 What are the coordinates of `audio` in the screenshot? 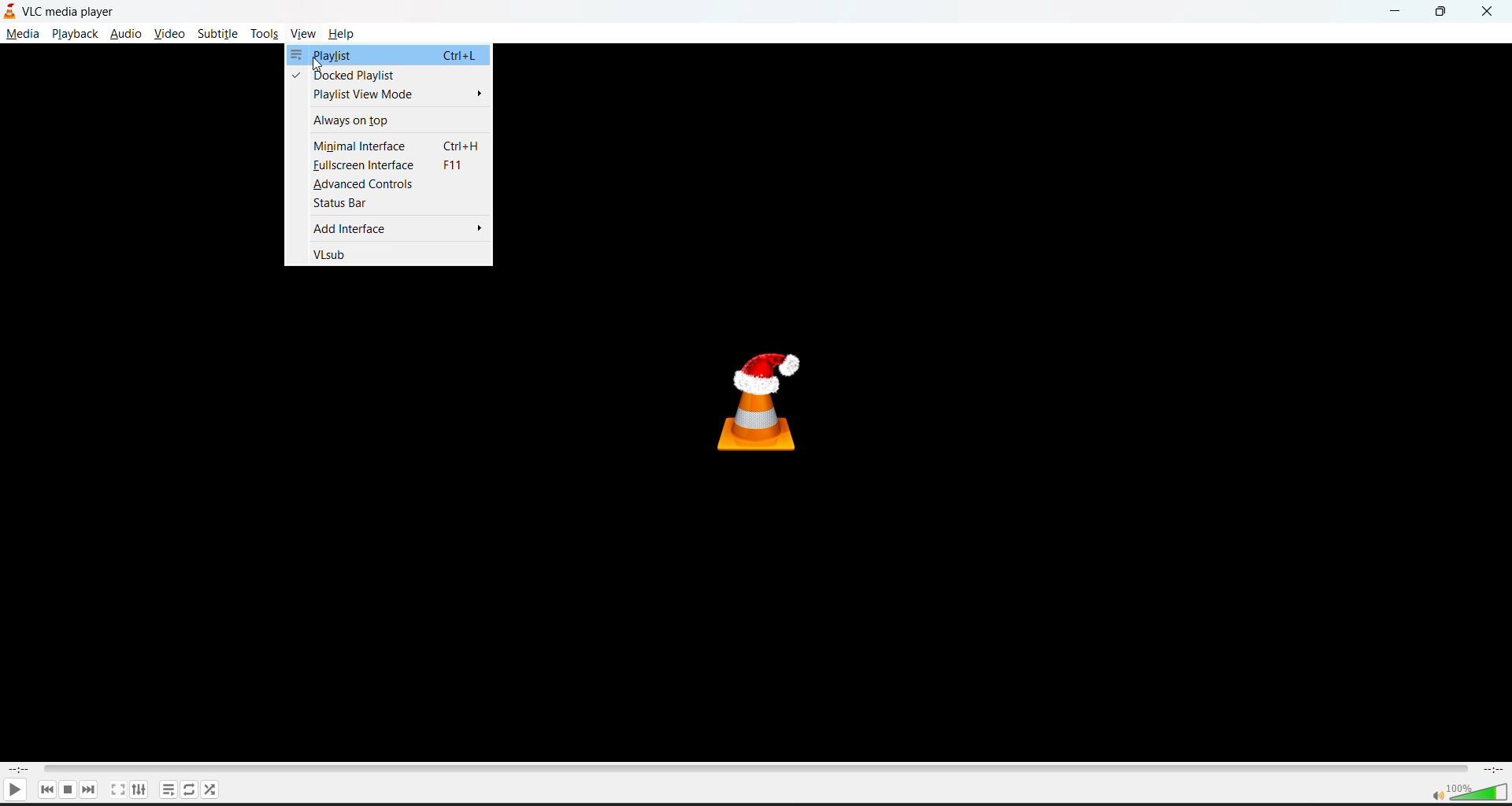 It's located at (125, 34).